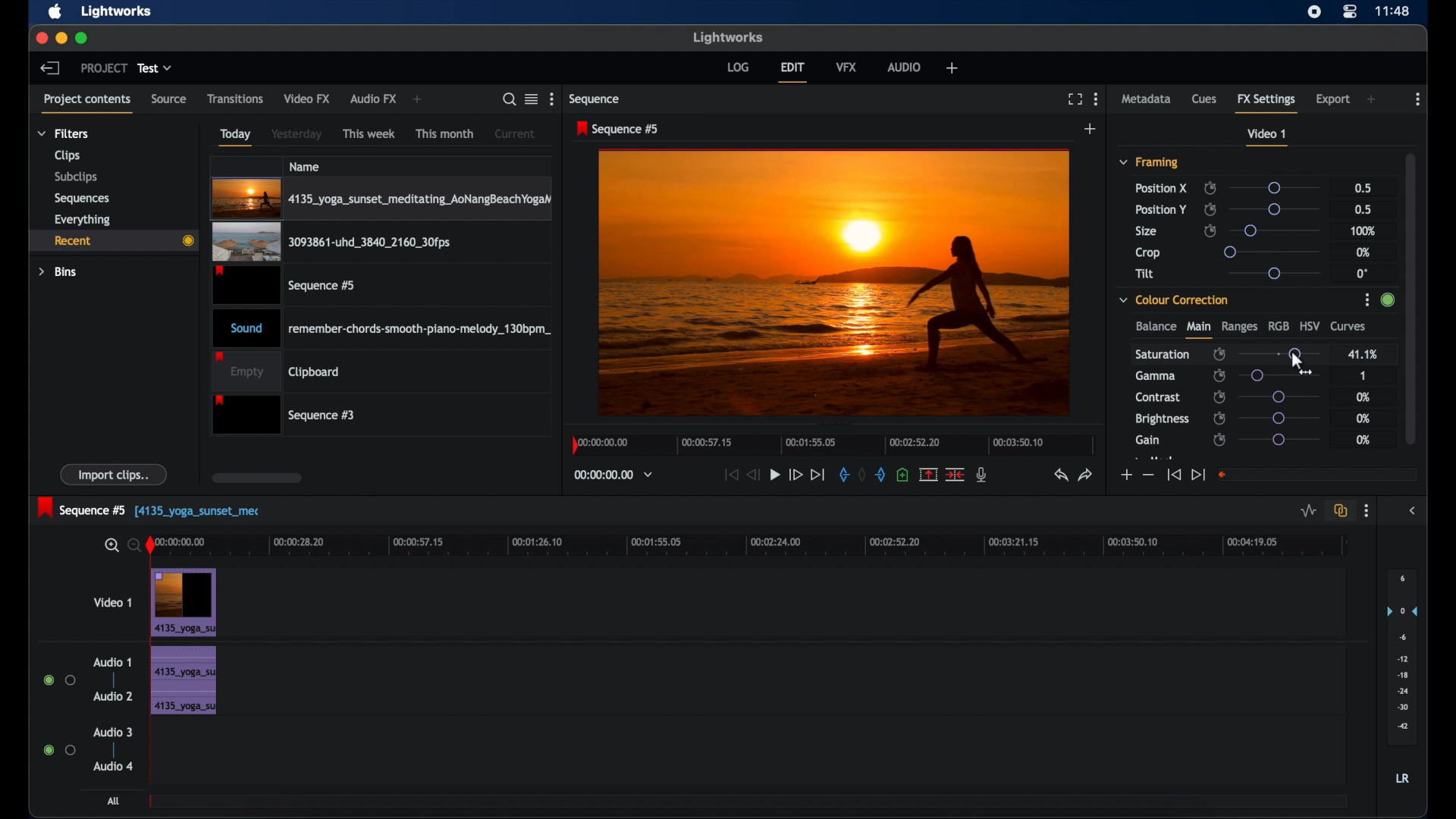  Describe the element at coordinates (834, 281) in the screenshot. I see `video preview` at that location.